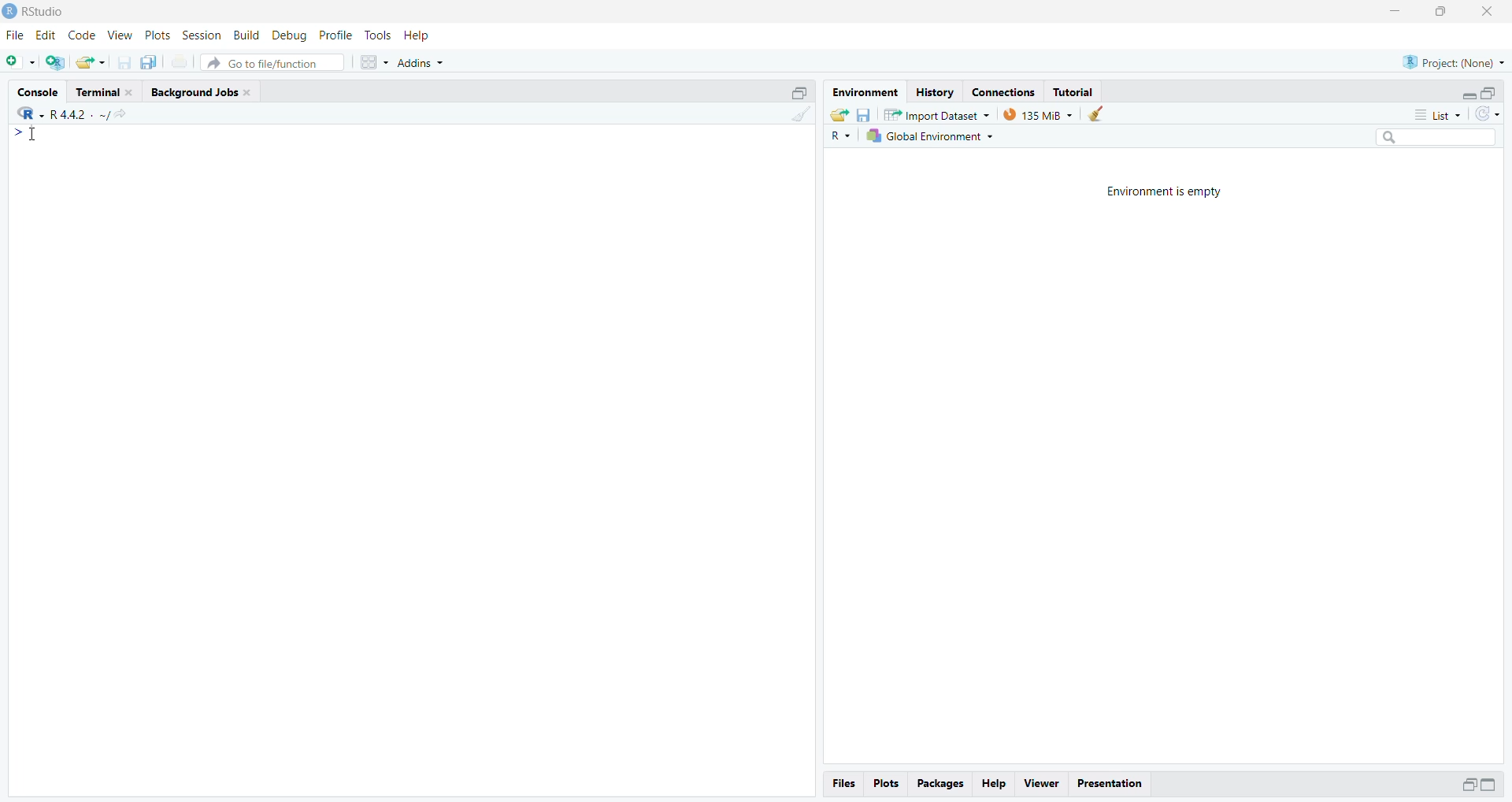 The image size is (1512, 802). I want to click on Edit, so click(46, 36).